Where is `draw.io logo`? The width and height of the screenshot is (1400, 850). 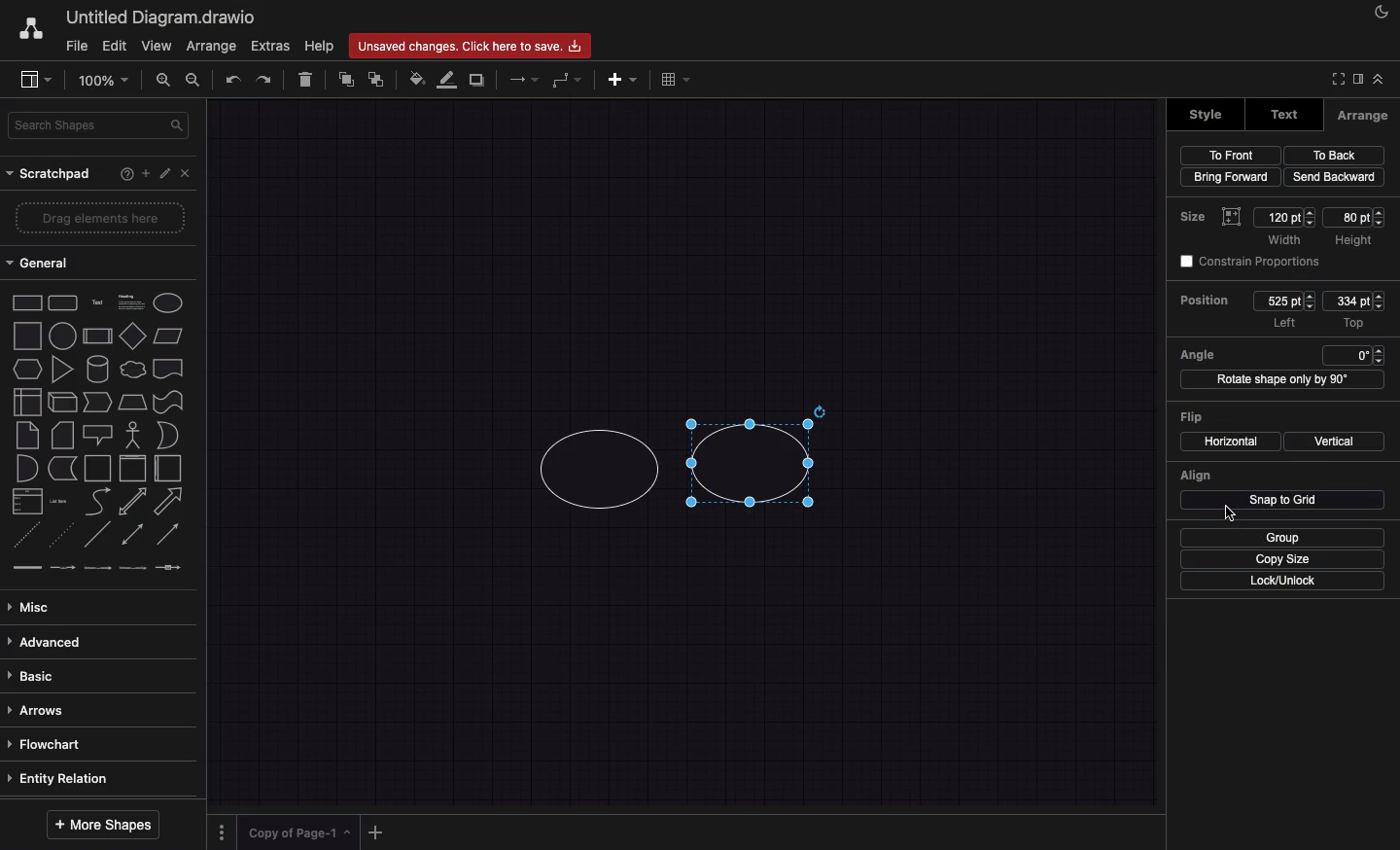
draw.io logo is located at coordinates (30, 28).